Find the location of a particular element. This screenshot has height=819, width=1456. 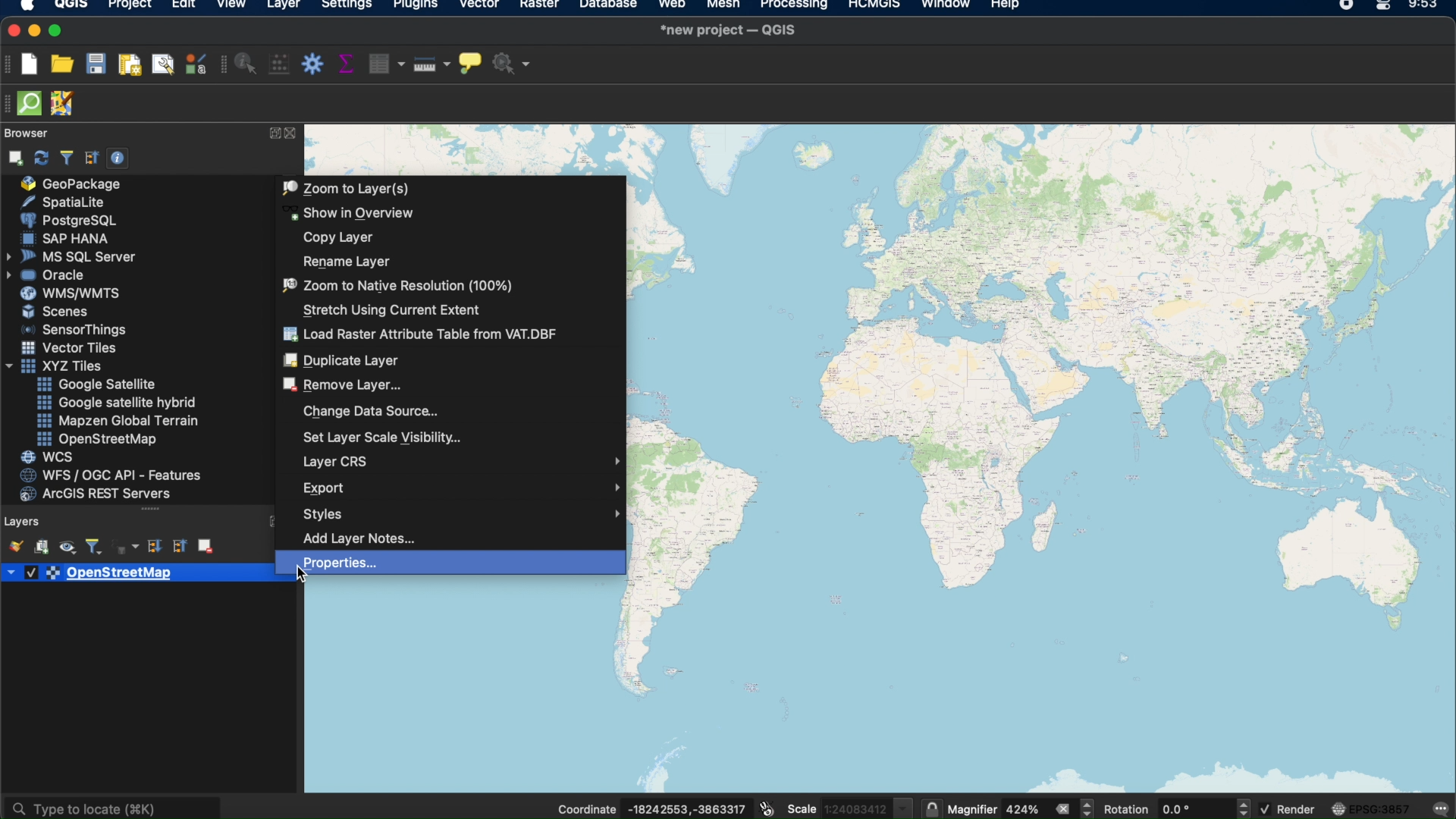

QGIS is located at coordinates (71, 7).